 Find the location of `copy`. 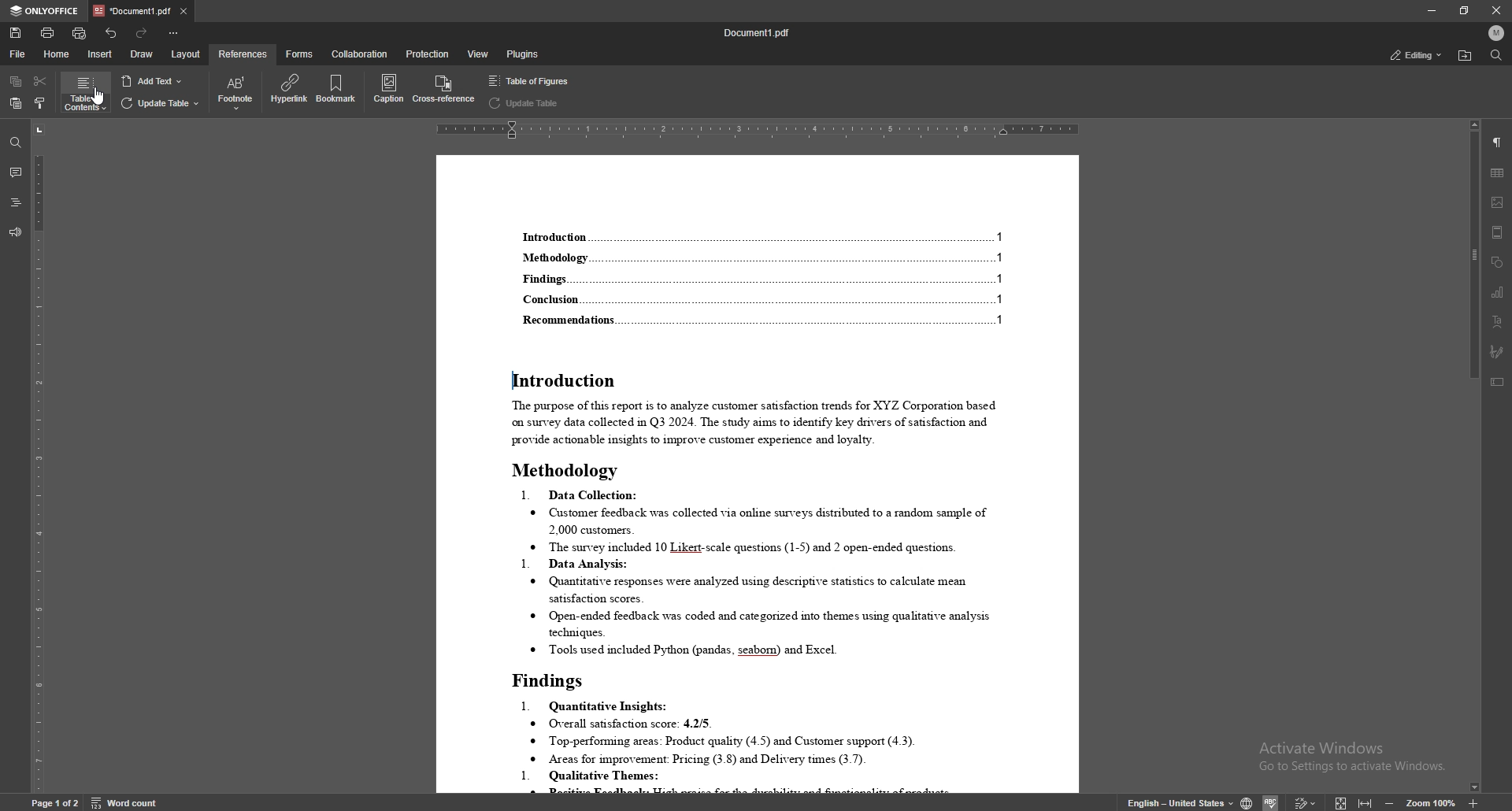

copy is located at coordinates (17, 80).